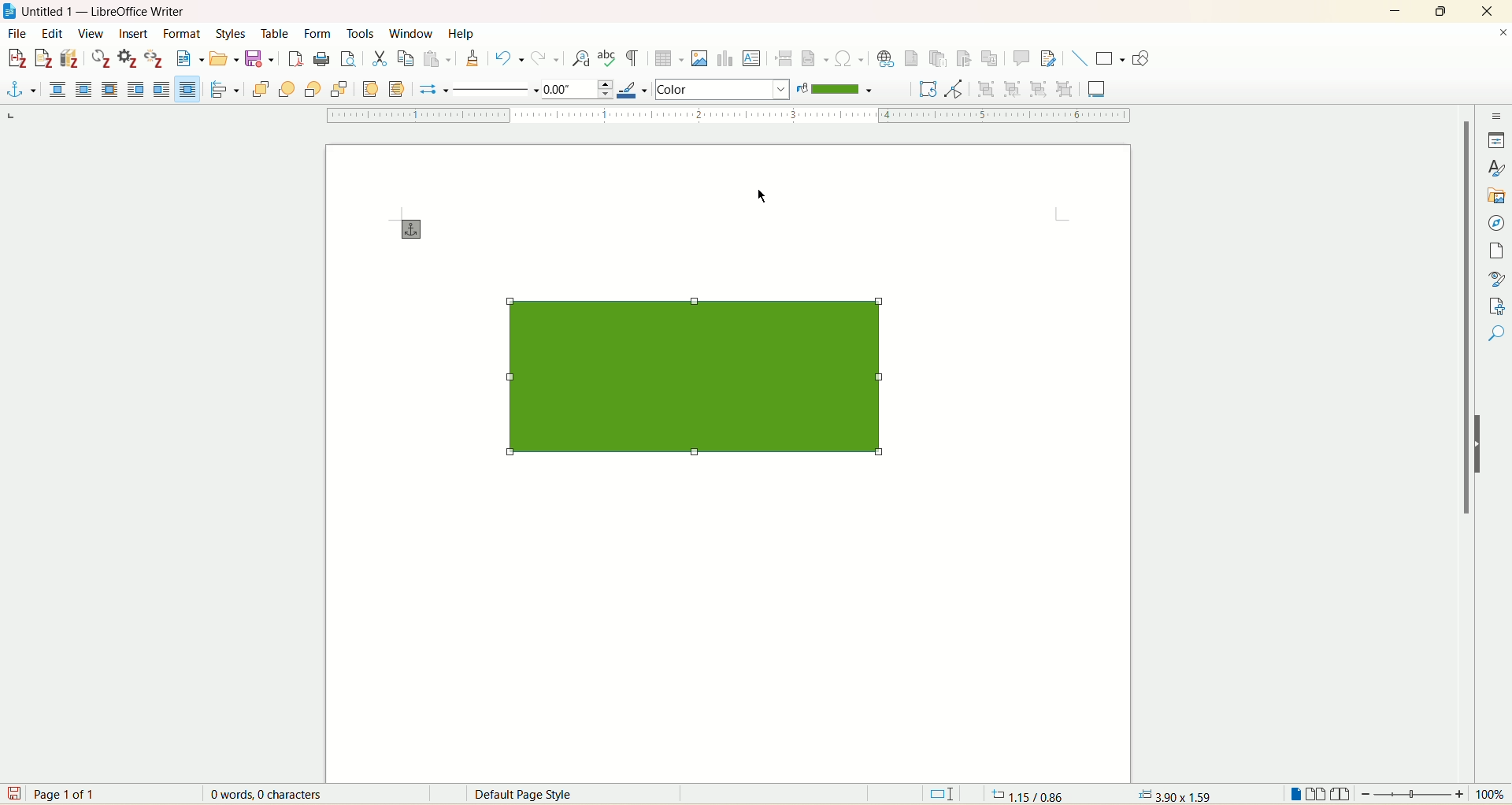  What do you see at coordinates (289, 89) in the screenshot?
I see `front one` at bounding box center [289, 89].